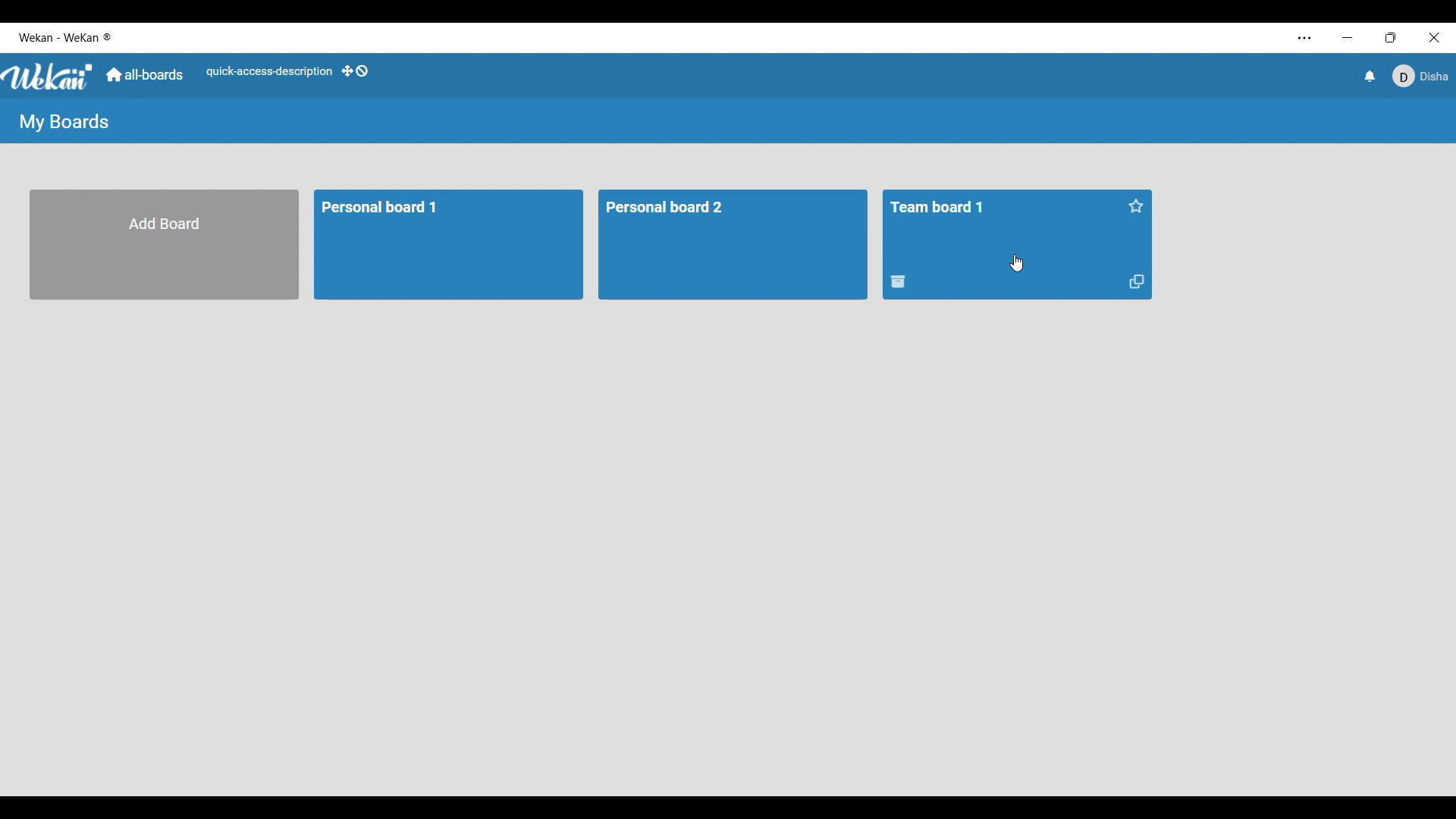 This screenshot has width=1456, height=819. I want to click on Minimize, so click(1348, 37).